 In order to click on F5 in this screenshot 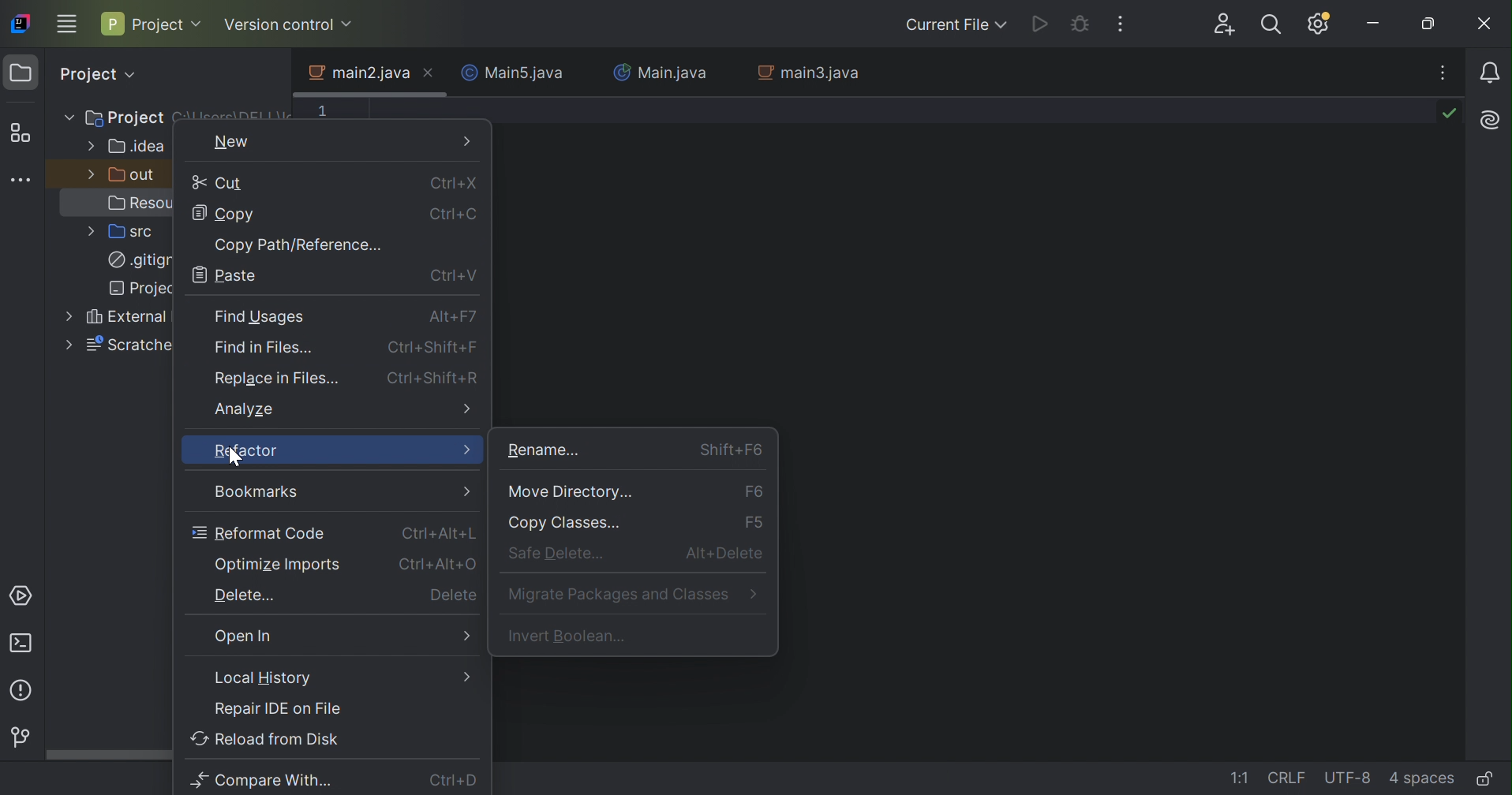, I will do `click(754, 524)`.